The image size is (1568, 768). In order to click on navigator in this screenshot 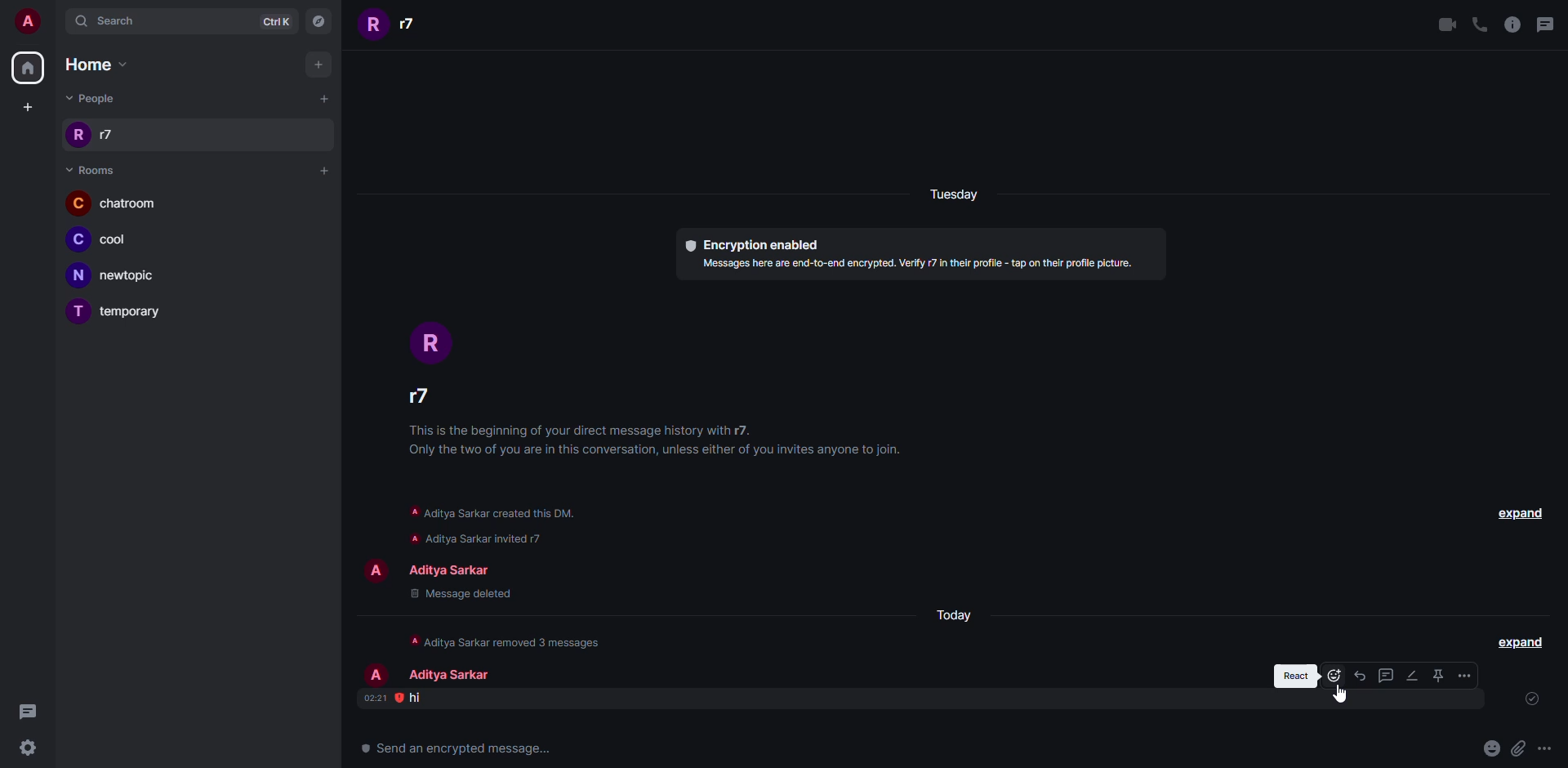, I will do `click(323, 21)`.